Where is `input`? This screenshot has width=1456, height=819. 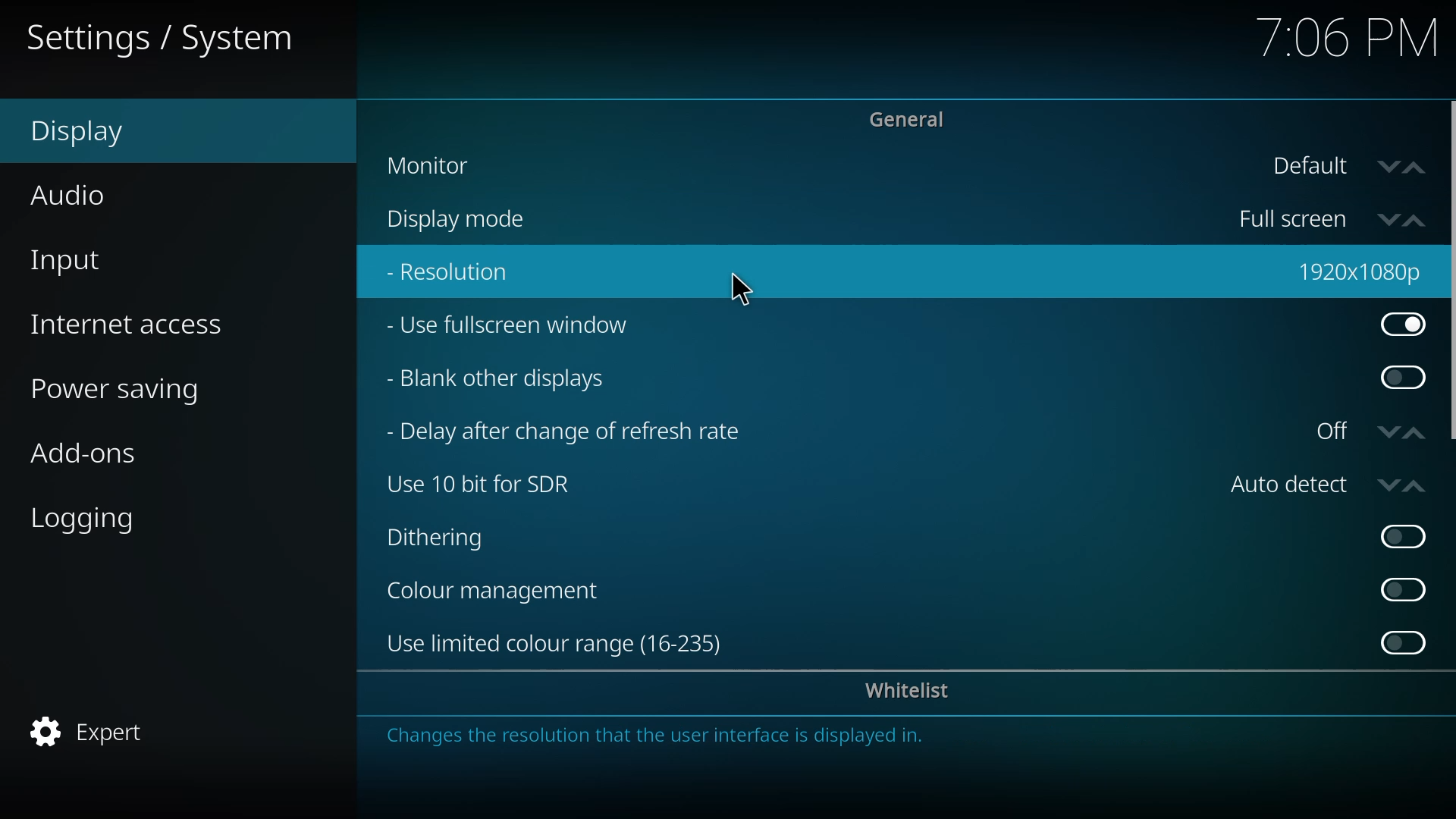 input is located at coordinates (74, 259).